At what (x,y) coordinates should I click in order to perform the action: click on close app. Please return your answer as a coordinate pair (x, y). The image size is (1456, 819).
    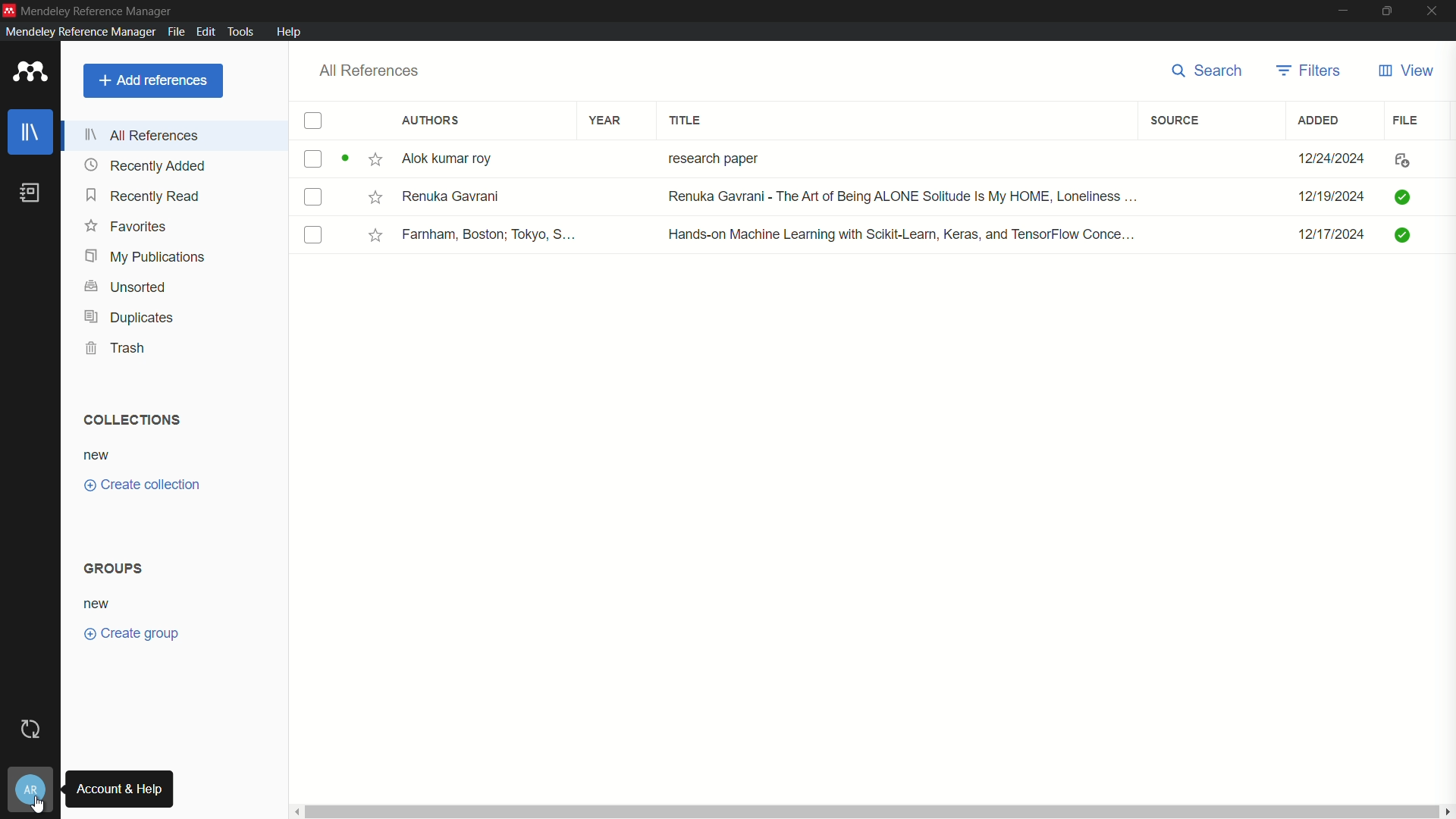
    Looking at the image, I should click on (1436, 11).